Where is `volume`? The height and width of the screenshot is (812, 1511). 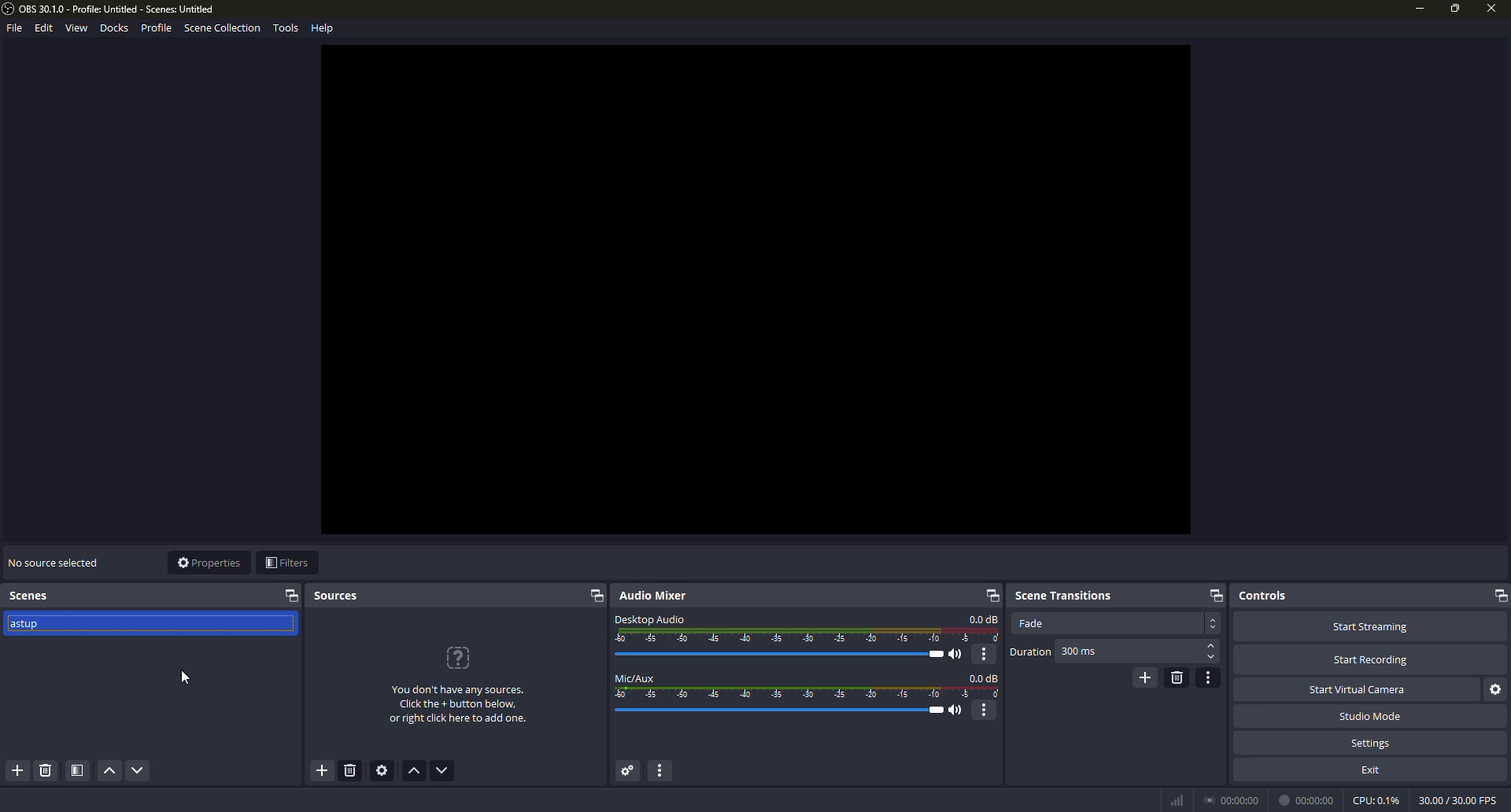
volume is located at coordinates (785, 654).